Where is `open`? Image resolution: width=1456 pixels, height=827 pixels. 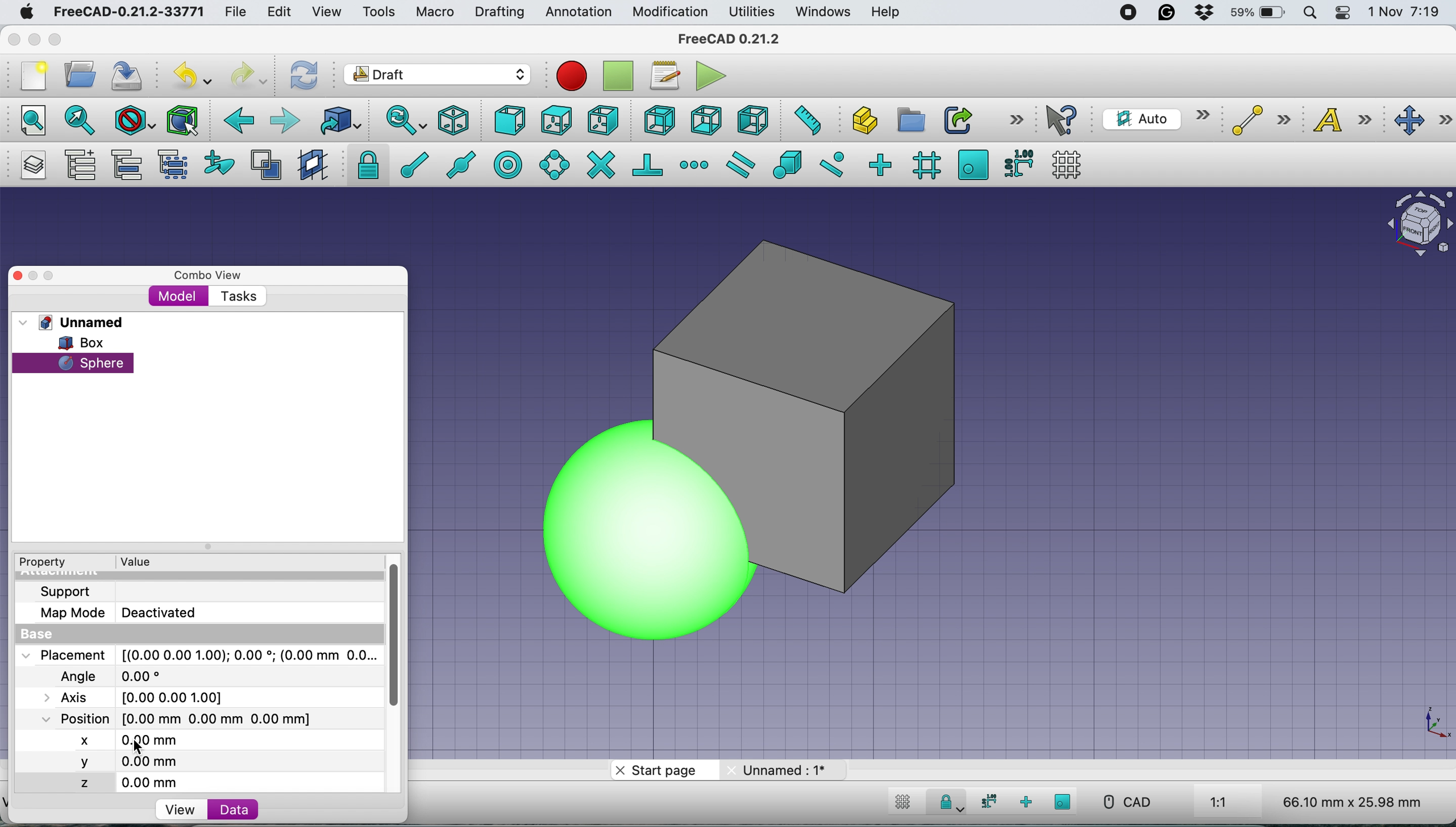 open is located at coordinates (85, 74).